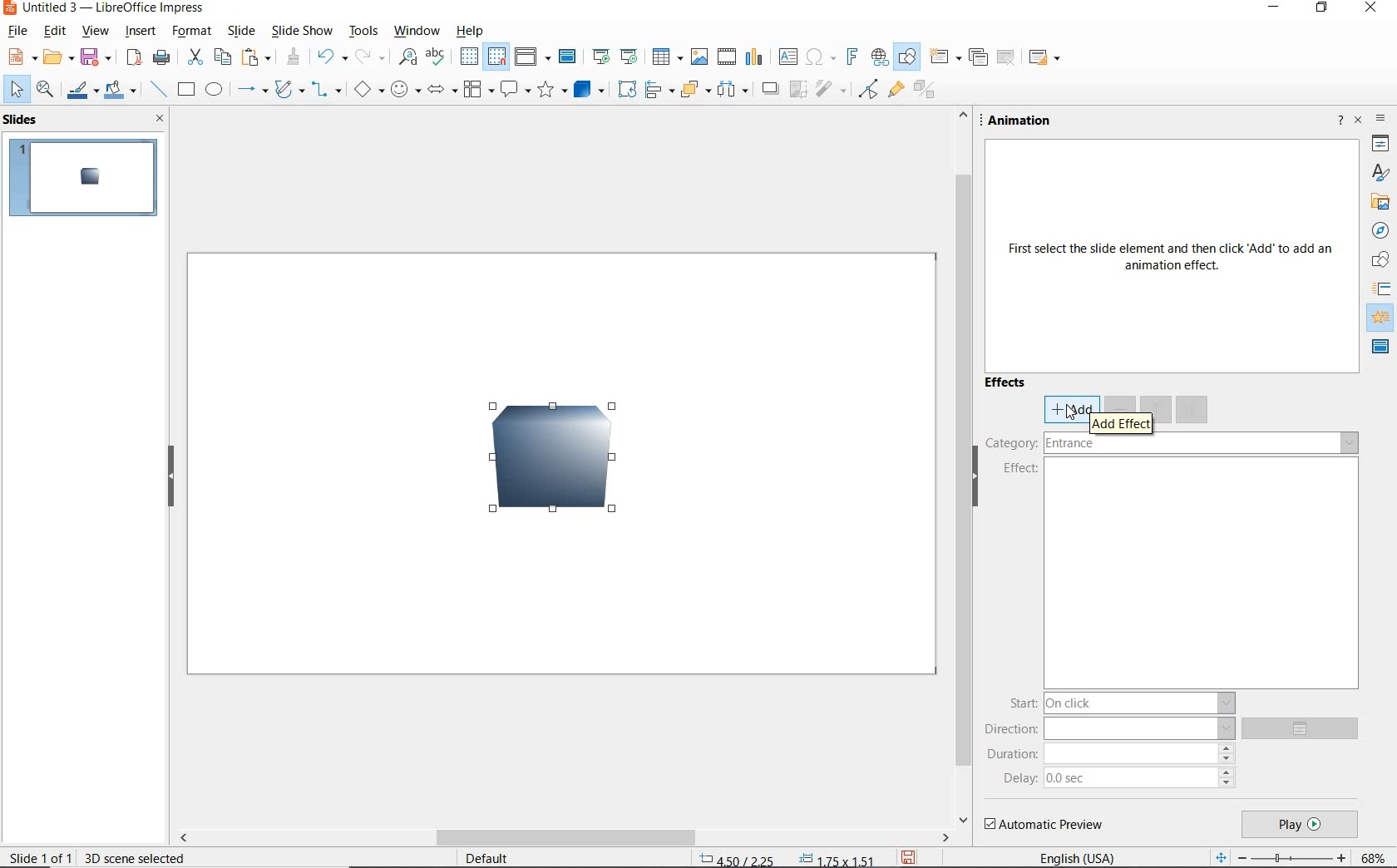 This screenshot has width=1397, height=868. Describe the element at coordinates (367, 91) in the screenshot. I see `basic shapes` at that location.